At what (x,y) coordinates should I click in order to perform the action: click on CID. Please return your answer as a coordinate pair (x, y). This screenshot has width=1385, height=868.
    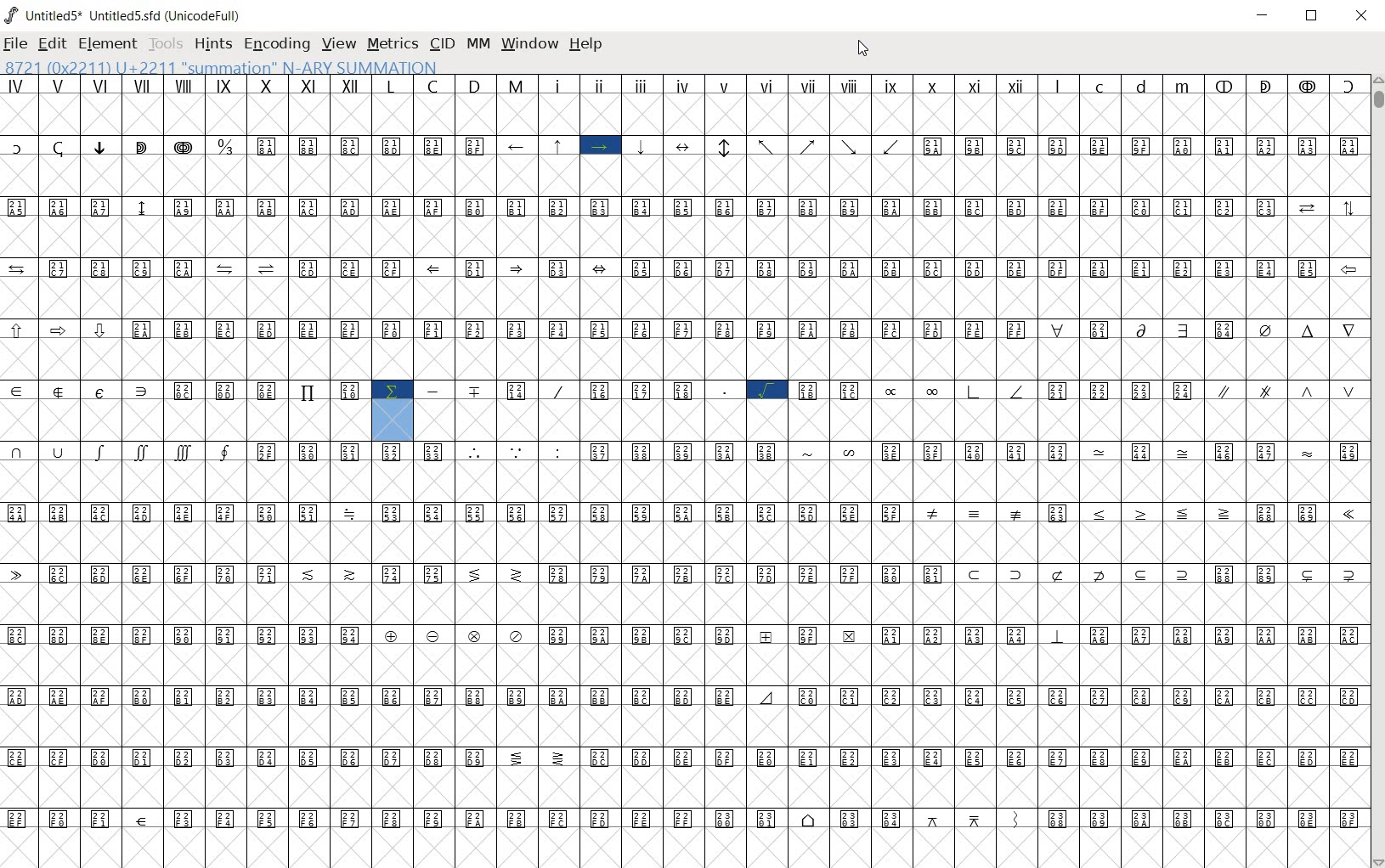
    Looking at the image, I should click on (442, 44).